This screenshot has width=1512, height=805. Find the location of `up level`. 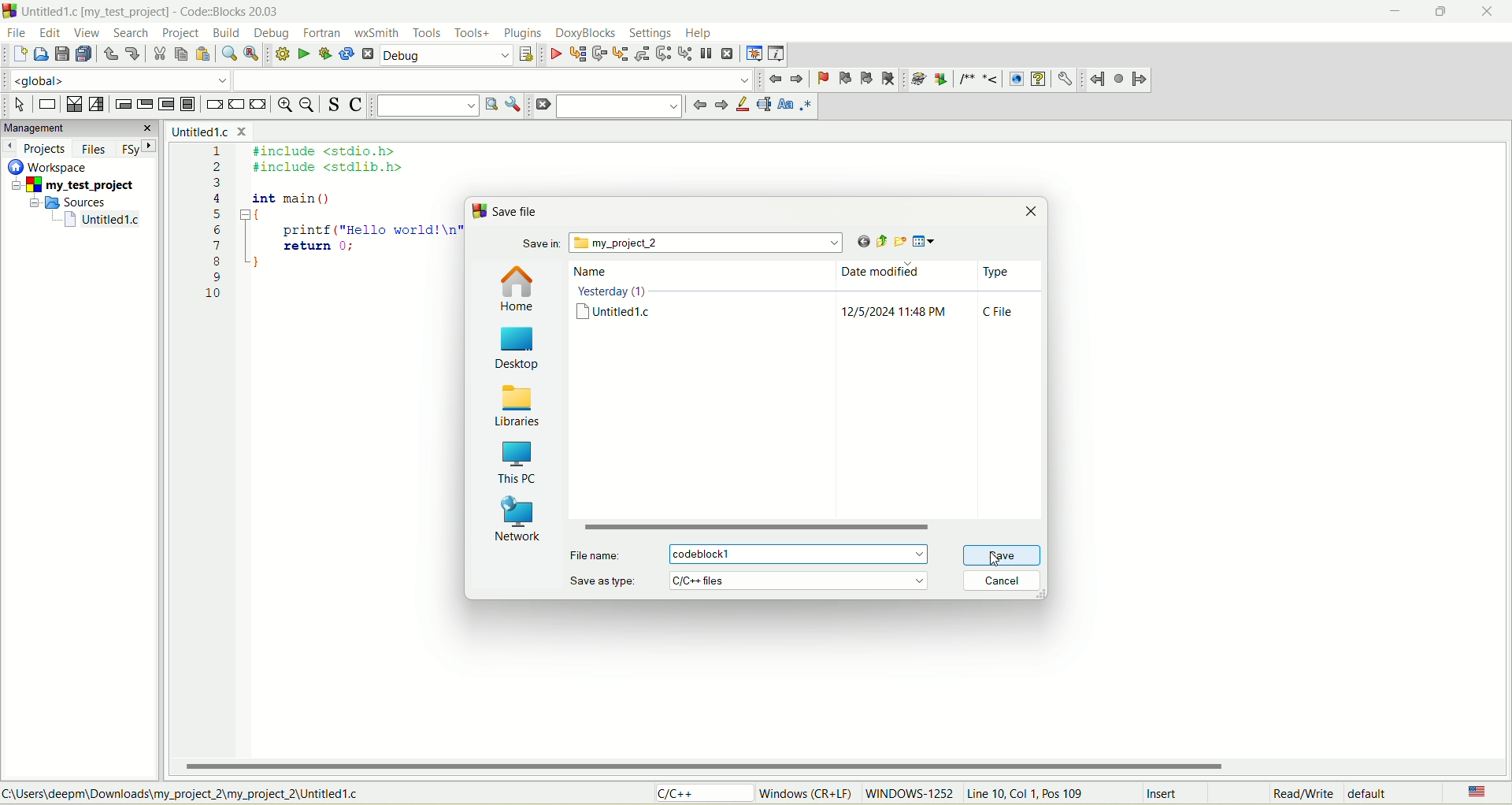

up level is located at coordinates (877, 241).